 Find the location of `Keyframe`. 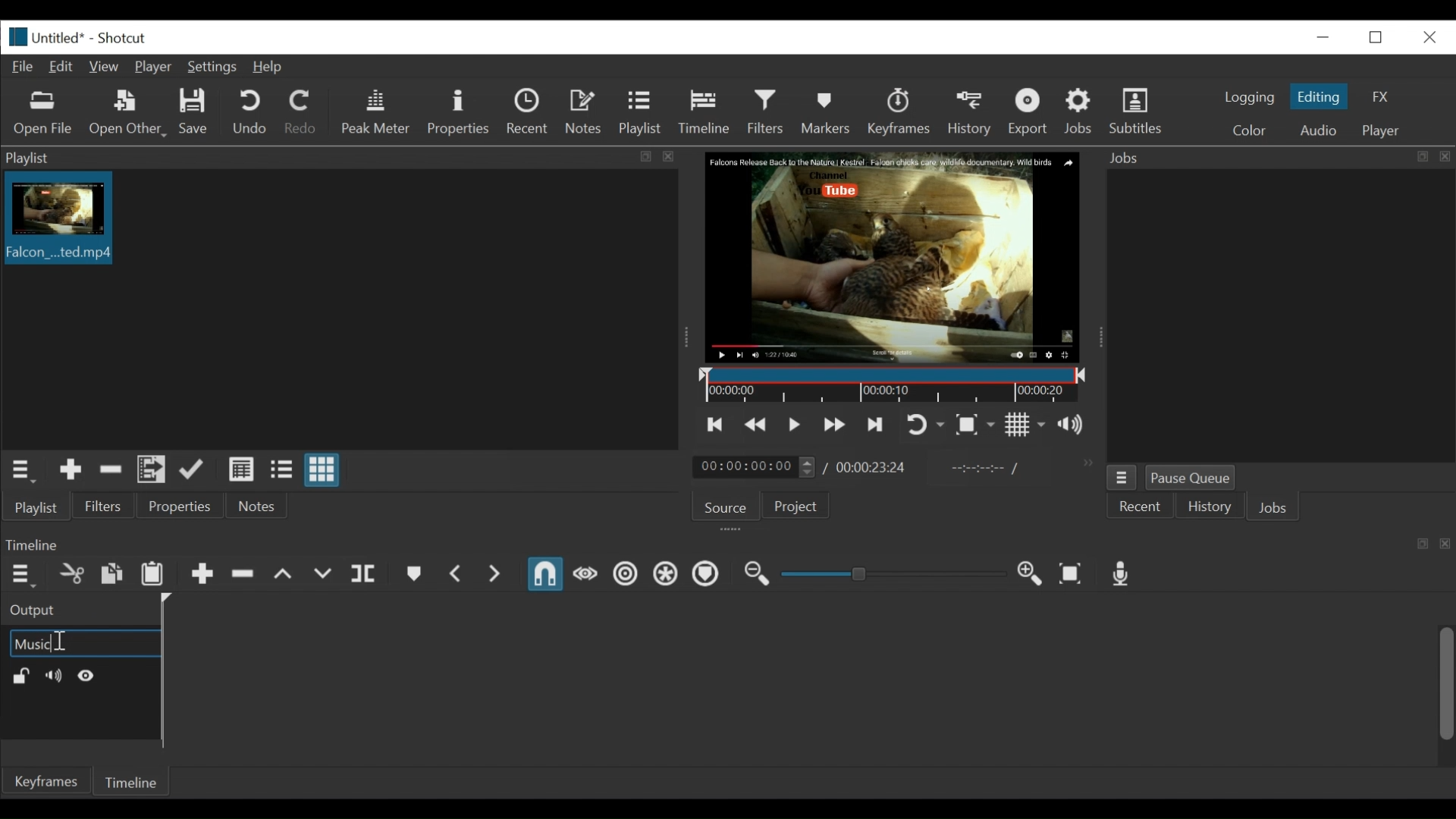

Keyframe is located at coordinates (899, 113).